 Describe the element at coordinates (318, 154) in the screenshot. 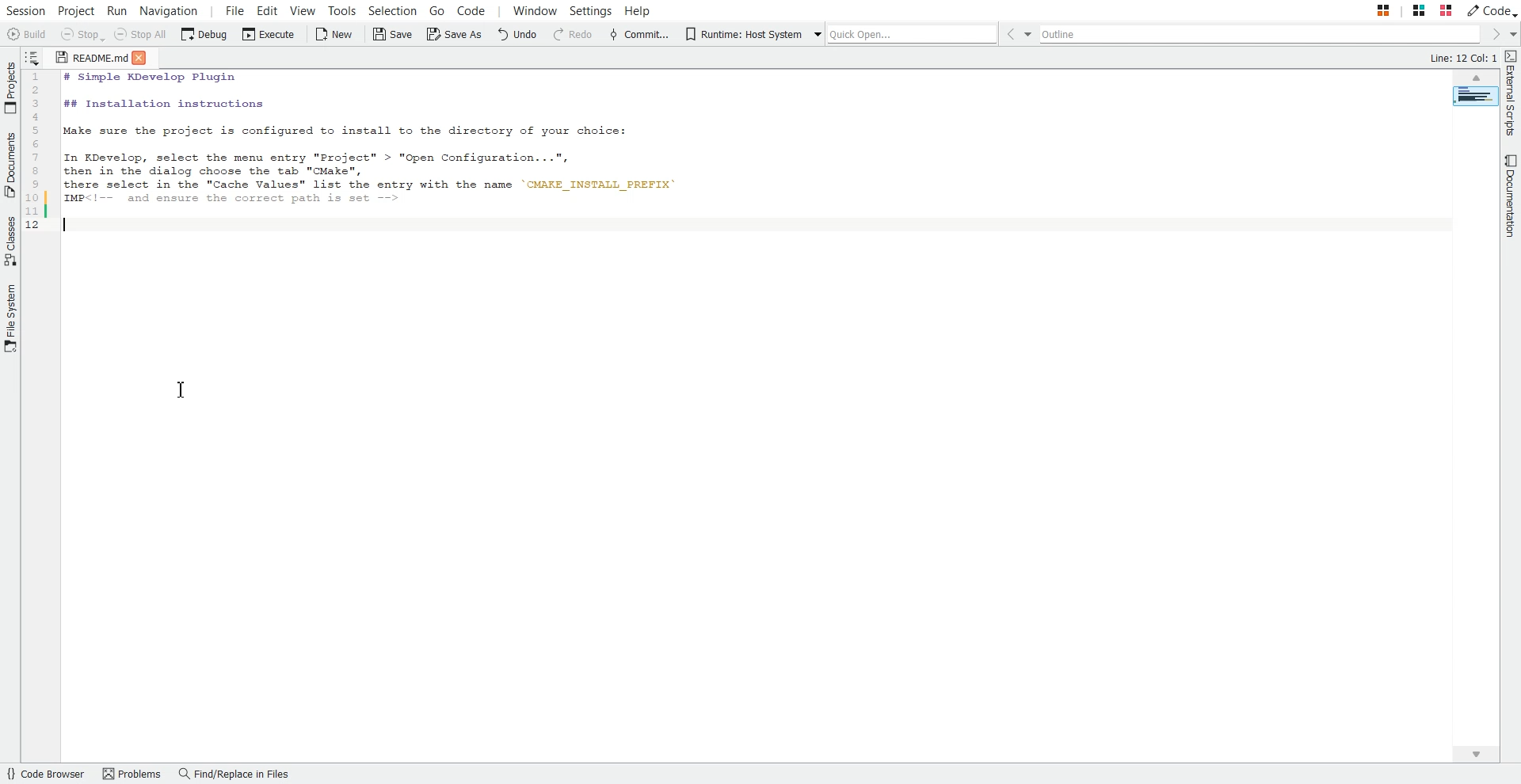

I see `In KDevelop, select the menu entry "Project" > "Open Configuation . ..",` at that location.